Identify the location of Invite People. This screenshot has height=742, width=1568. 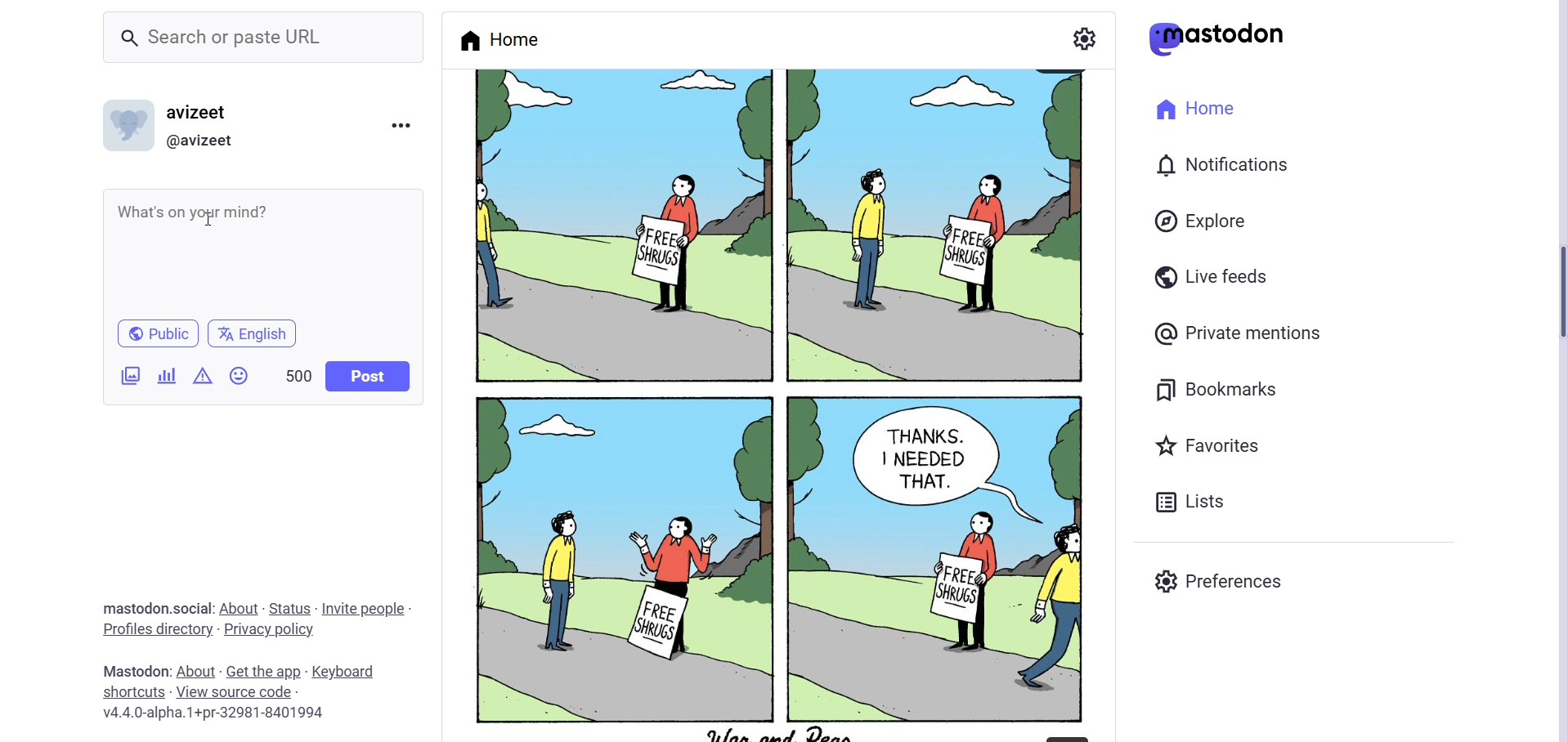
(369, 610).